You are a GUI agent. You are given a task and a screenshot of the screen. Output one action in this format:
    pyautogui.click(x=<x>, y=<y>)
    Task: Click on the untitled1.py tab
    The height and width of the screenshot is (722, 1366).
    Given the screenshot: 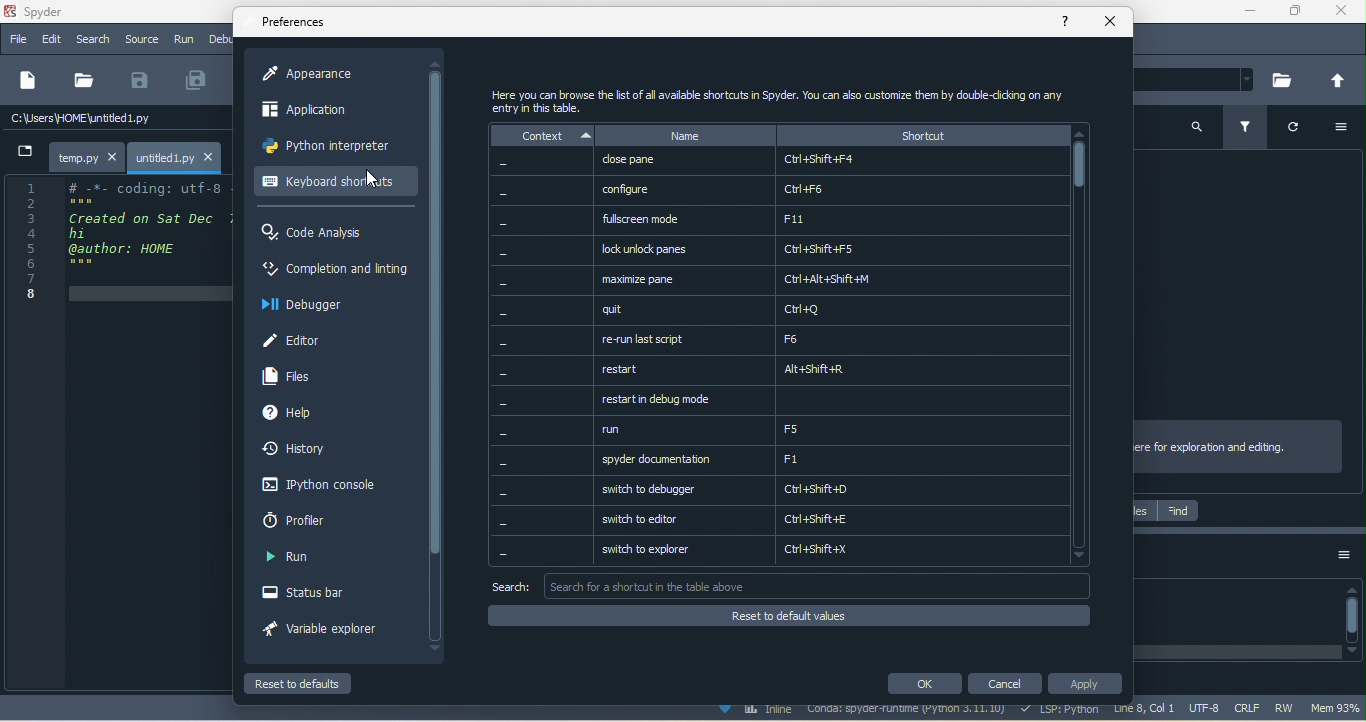 What is the action you would take?
    pyautogui.click(x=178, y=156)
    